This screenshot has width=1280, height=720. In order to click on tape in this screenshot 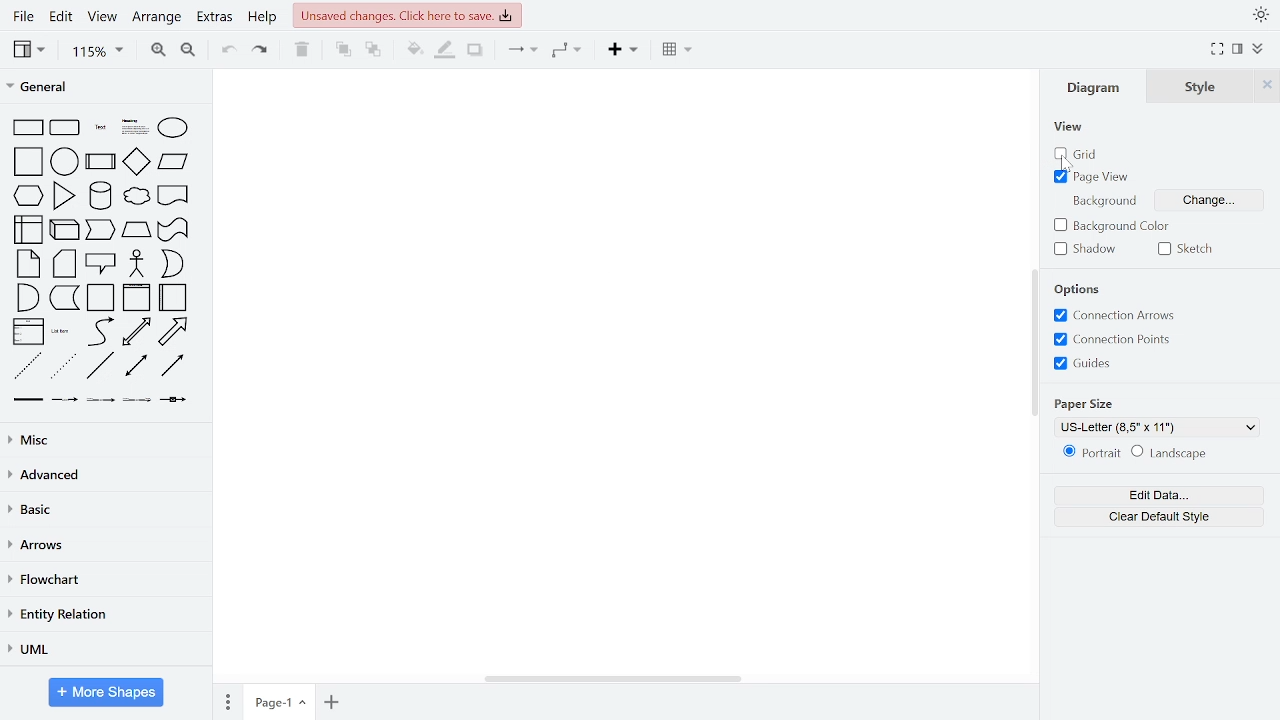, I will do `click(173, 230)`.